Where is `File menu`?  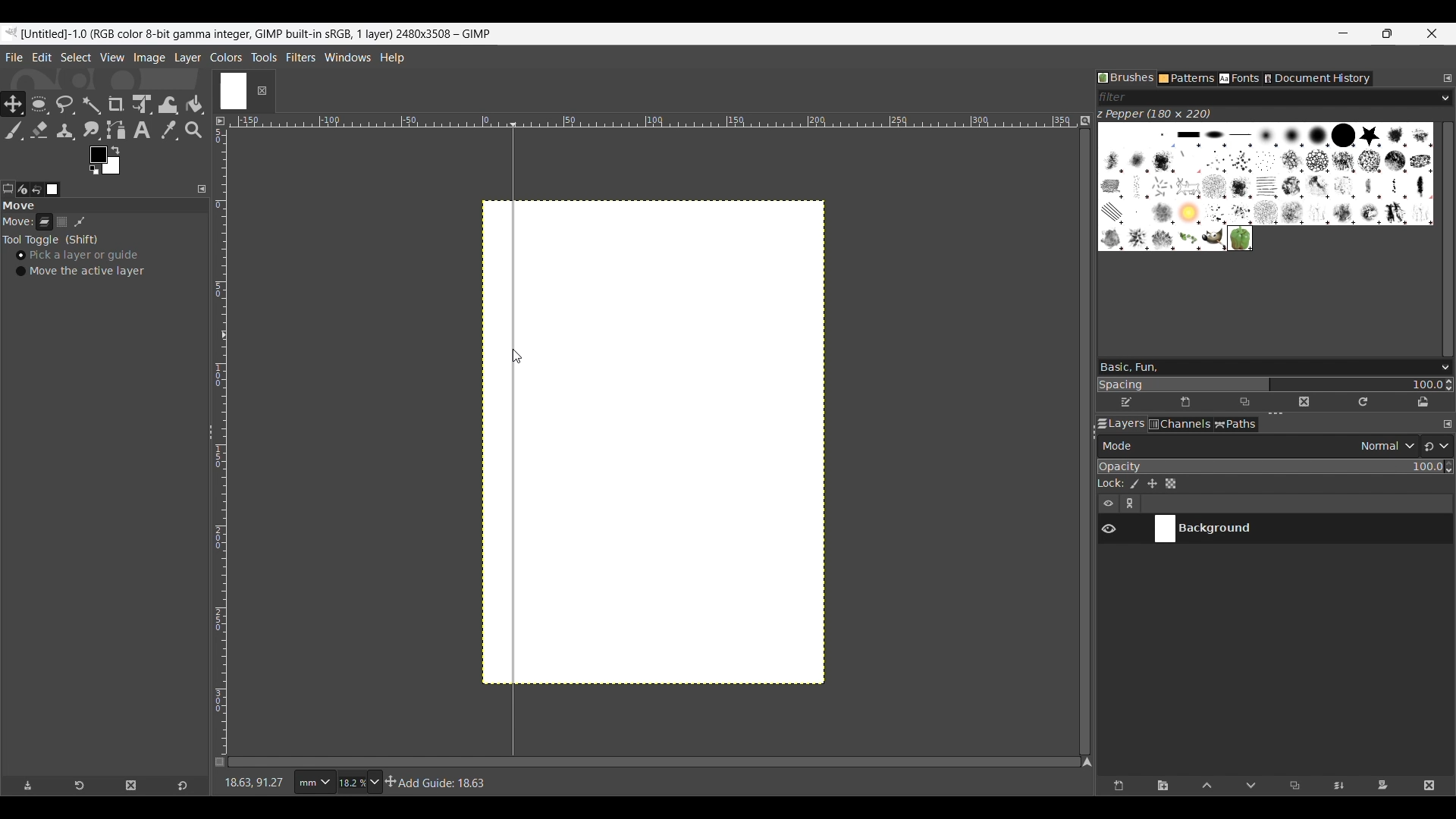 File menu is located at coordinates (14, 58).